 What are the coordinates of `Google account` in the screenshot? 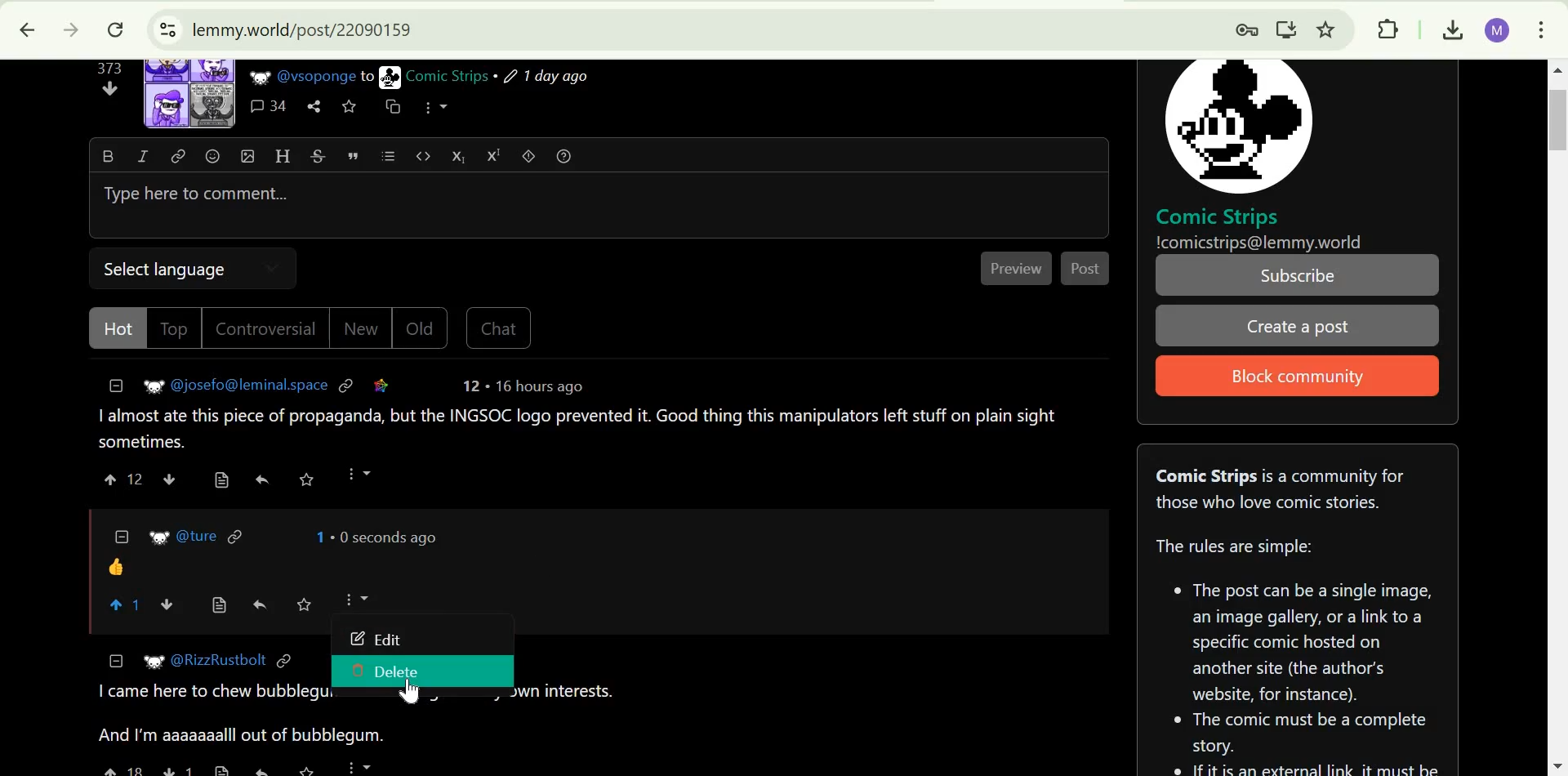 It's located at (1496, 29).